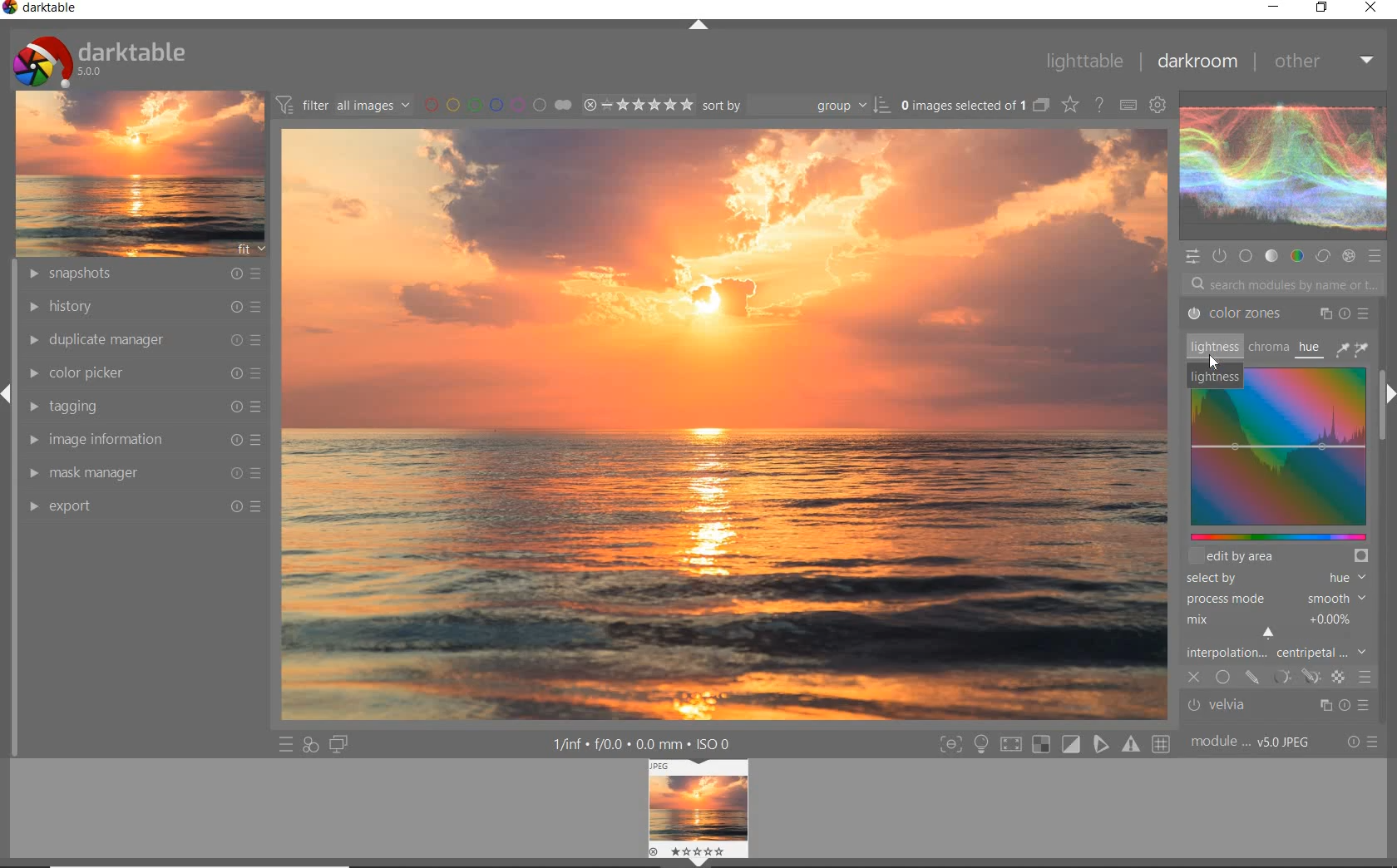  What do you see at coordinates (146, 505) in the screenshot?
I see `EXPORT` at bounding box center [146, 505].